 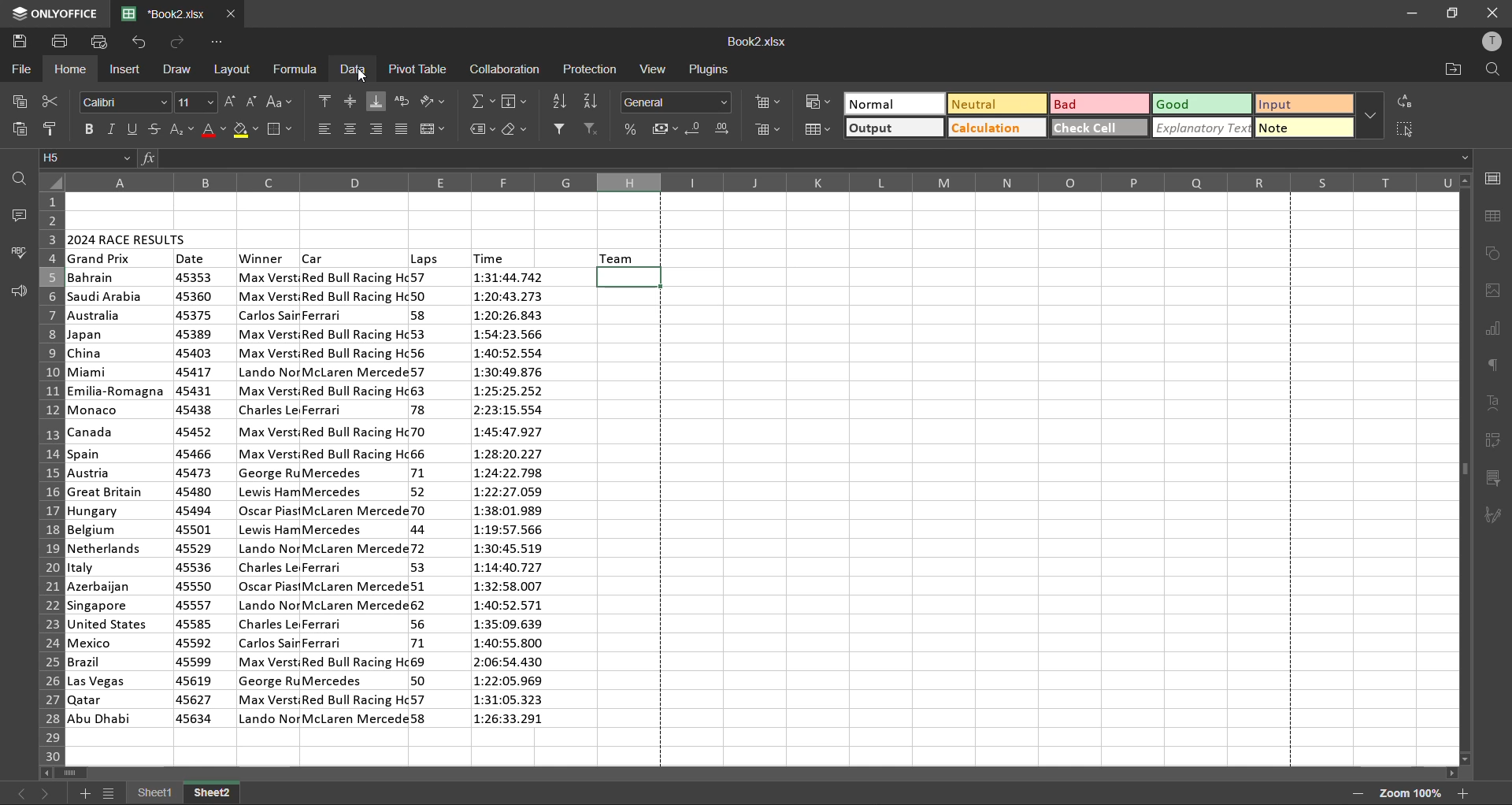 What do you see at coordinates (71, 71) in the screenshot?
I see `home` at bounding box center [71, 71].